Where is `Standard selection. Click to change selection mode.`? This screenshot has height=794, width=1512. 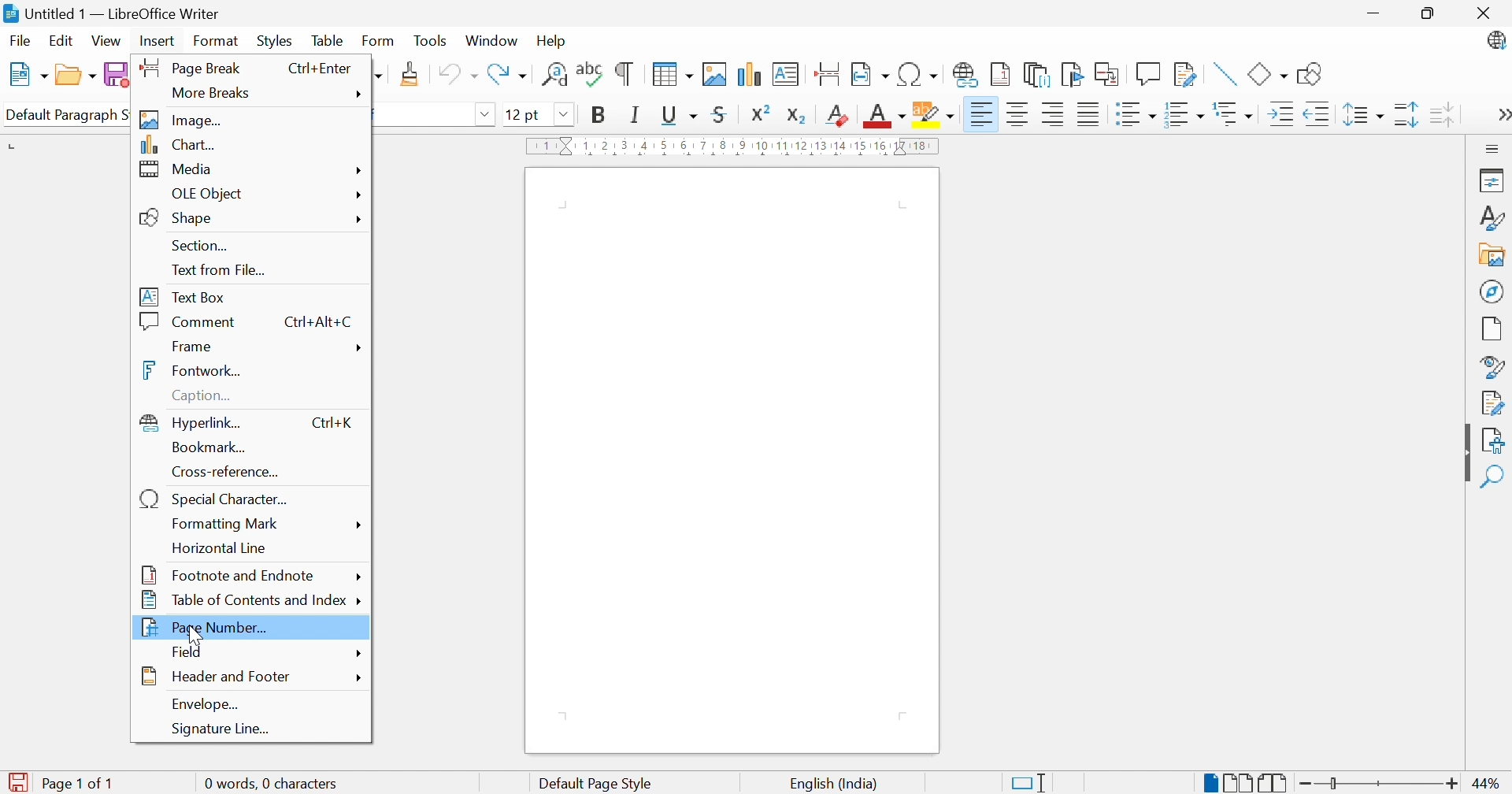
Standard selection. Click to change selection mode. is located at coordinates (1028, 783).